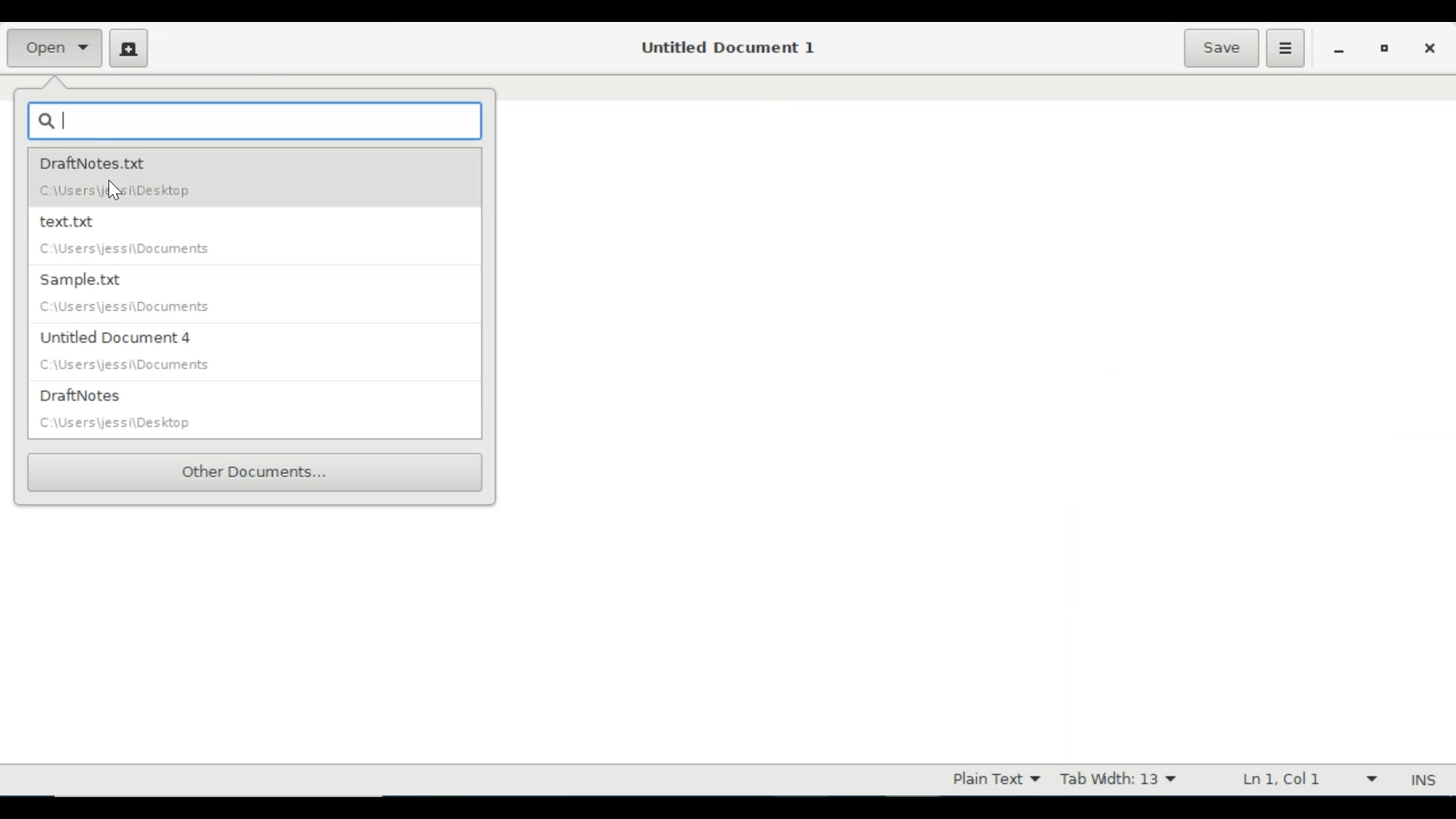  I want to click on Line & column, so click(1307, 780).